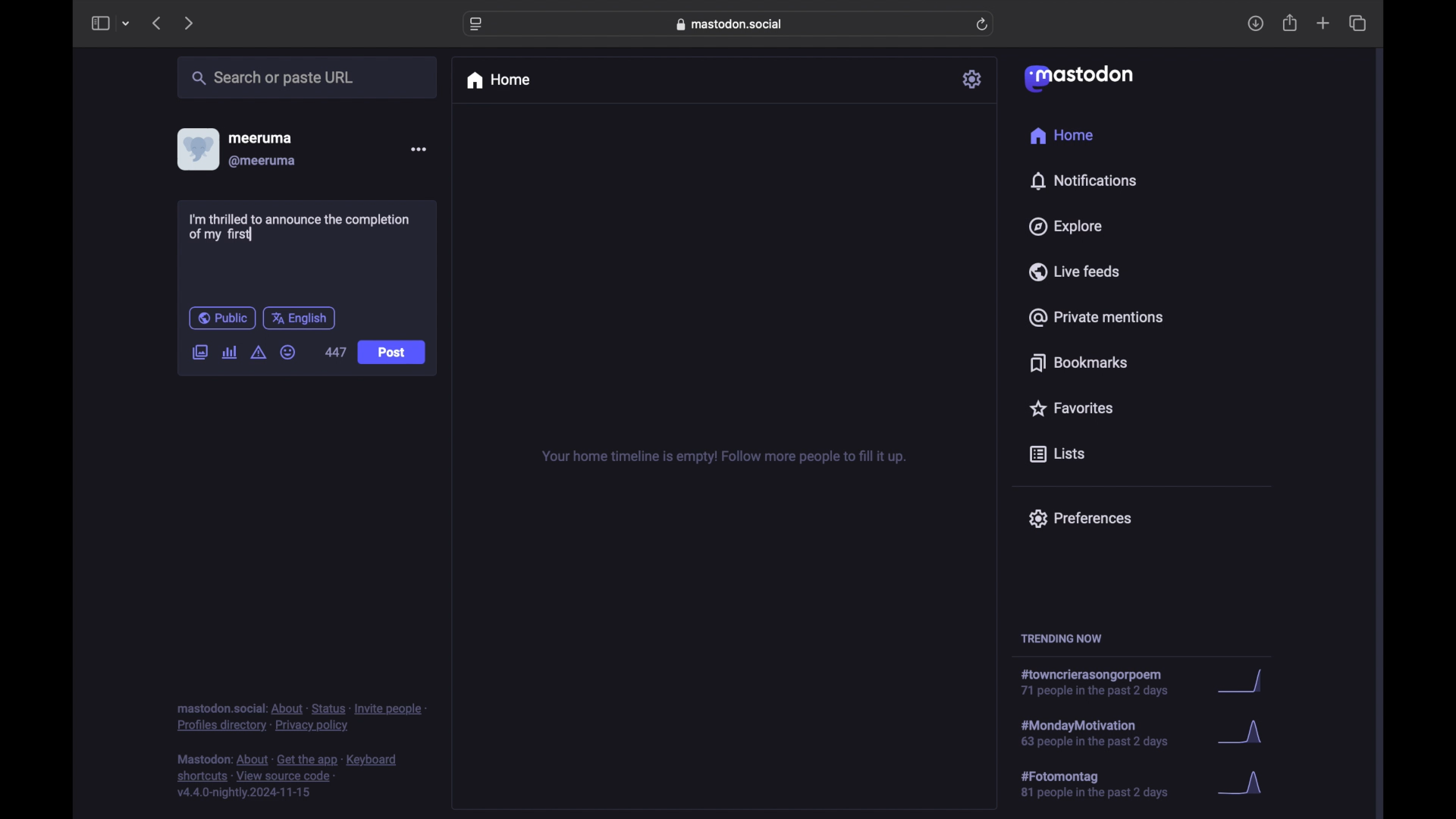 Image resolution: width=1456 pixels, height=819 pixels. Describe the element at coordinates (1105, 783) in the screenshot. I see `hashtag trend` at that location.